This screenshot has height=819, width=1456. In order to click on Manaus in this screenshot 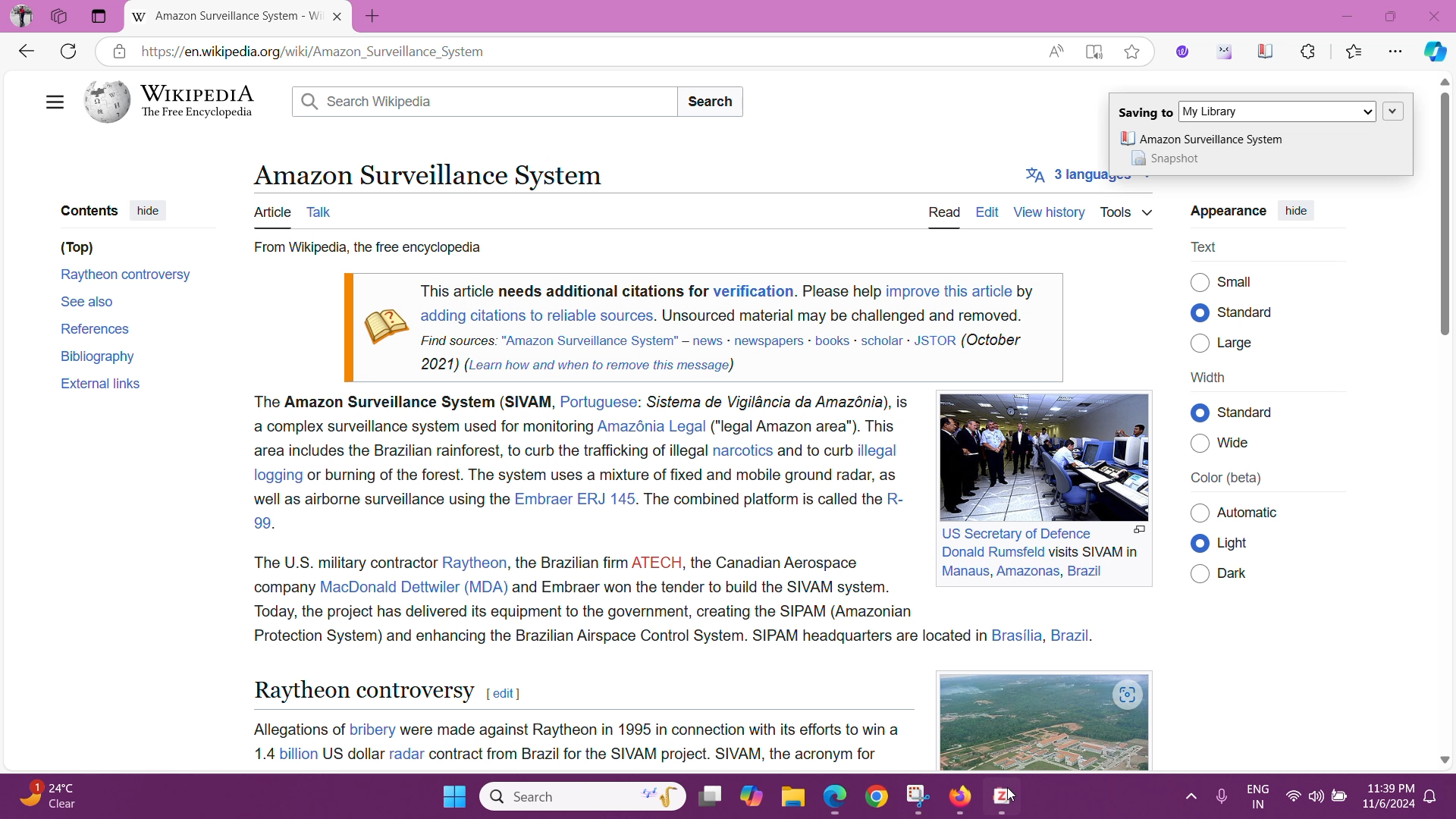, I will do `click(964, 572)`.